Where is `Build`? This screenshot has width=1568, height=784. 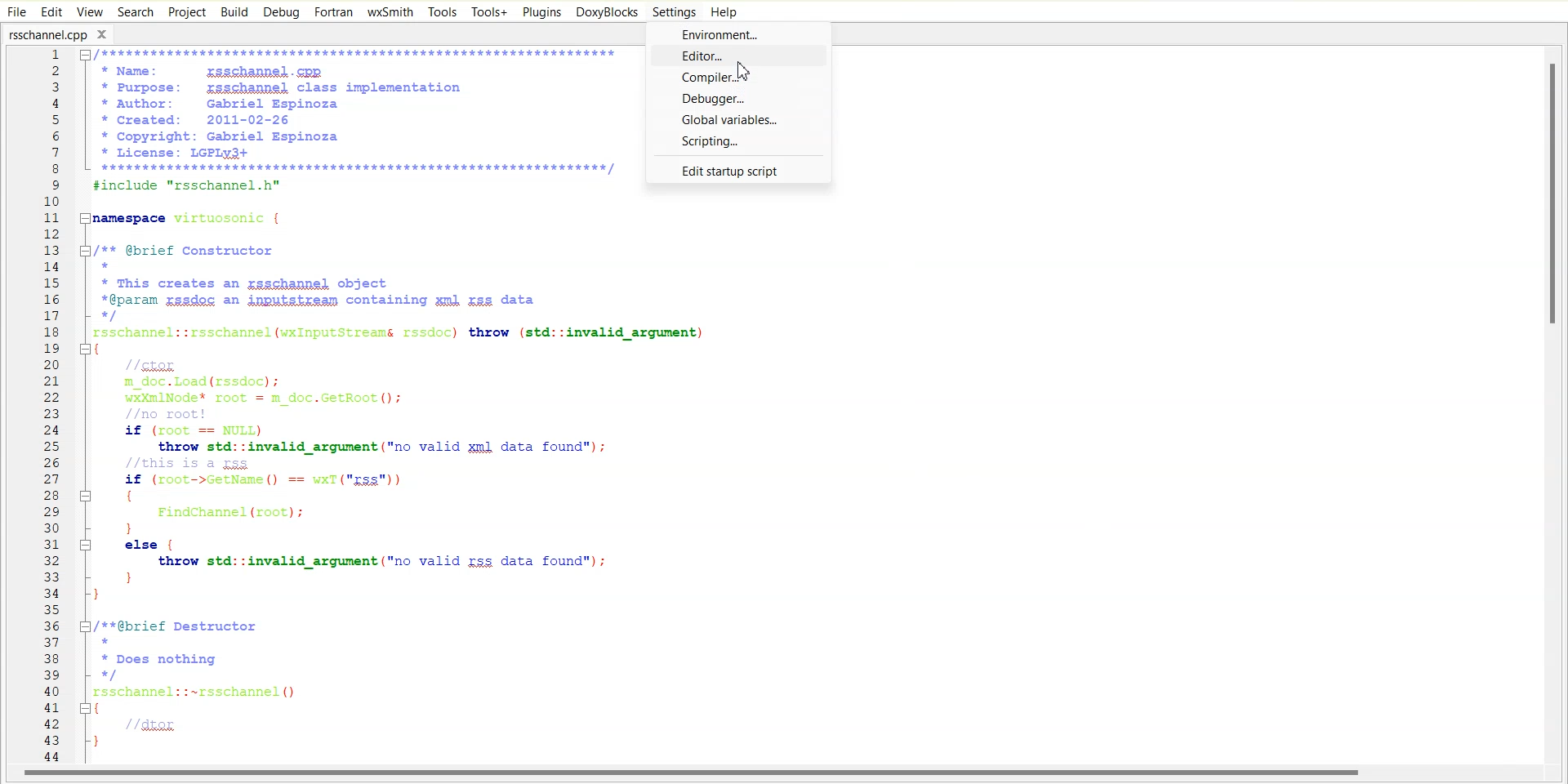 Build is located at coordinates (234, 11).